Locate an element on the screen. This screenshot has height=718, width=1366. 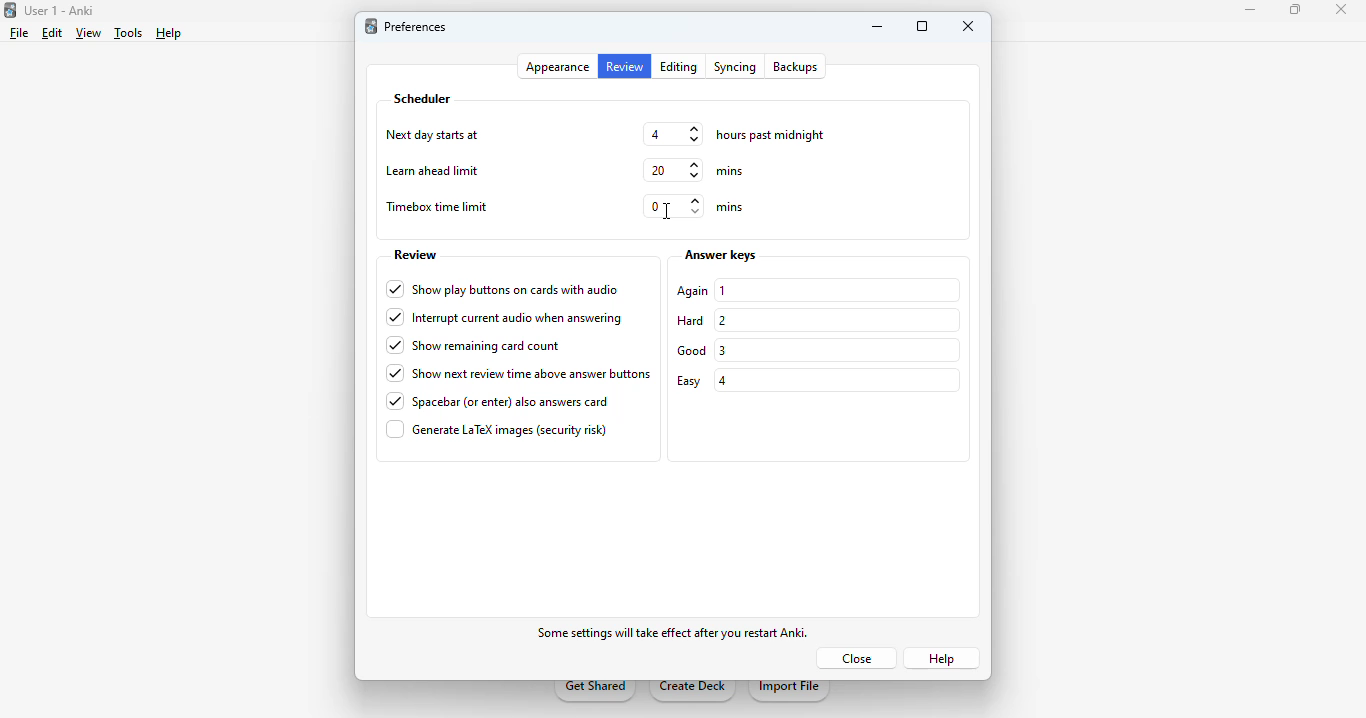
editing is located at coordinates (679, 67).